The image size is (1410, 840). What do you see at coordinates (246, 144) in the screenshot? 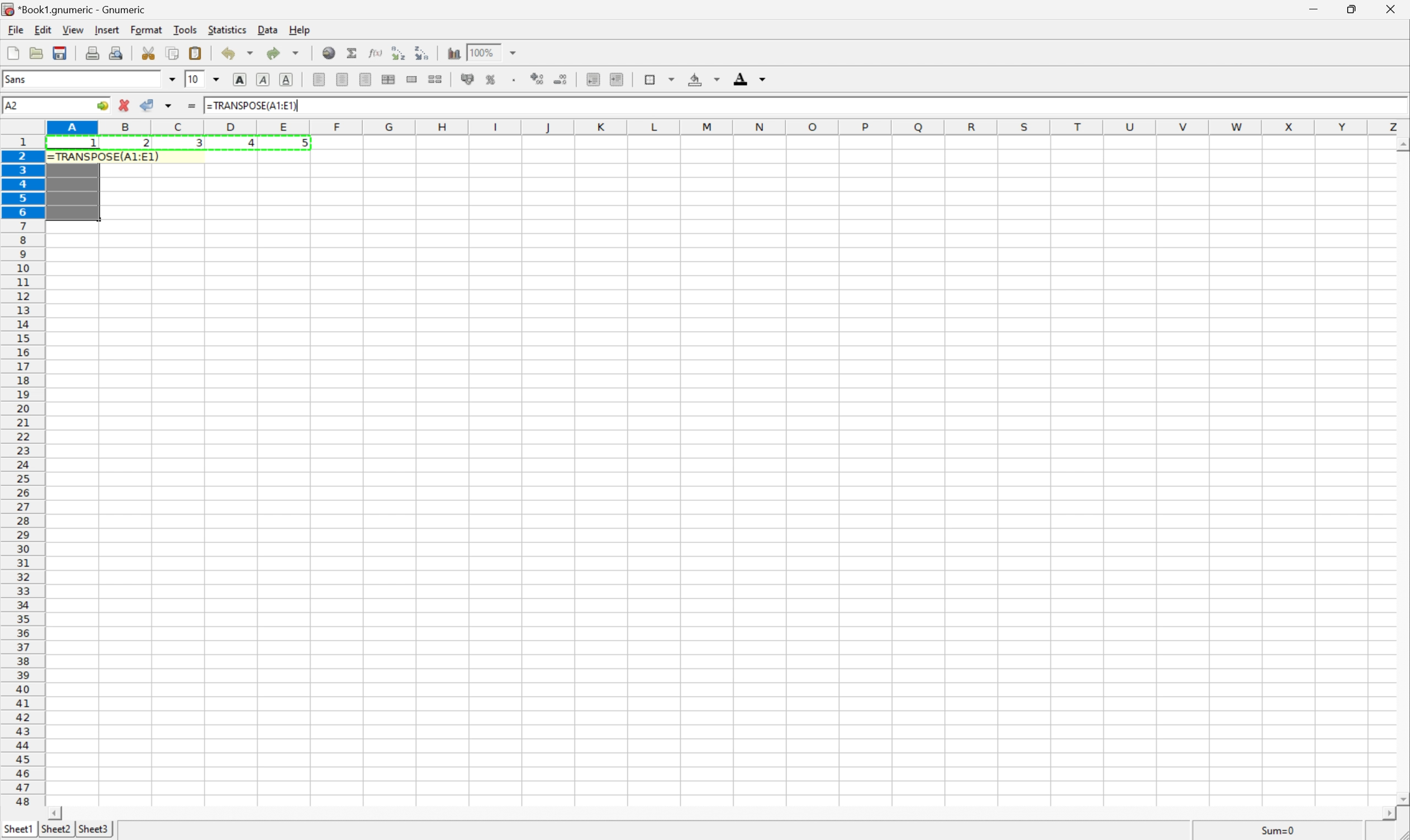
I see `4` at bounding box center [246, 144].